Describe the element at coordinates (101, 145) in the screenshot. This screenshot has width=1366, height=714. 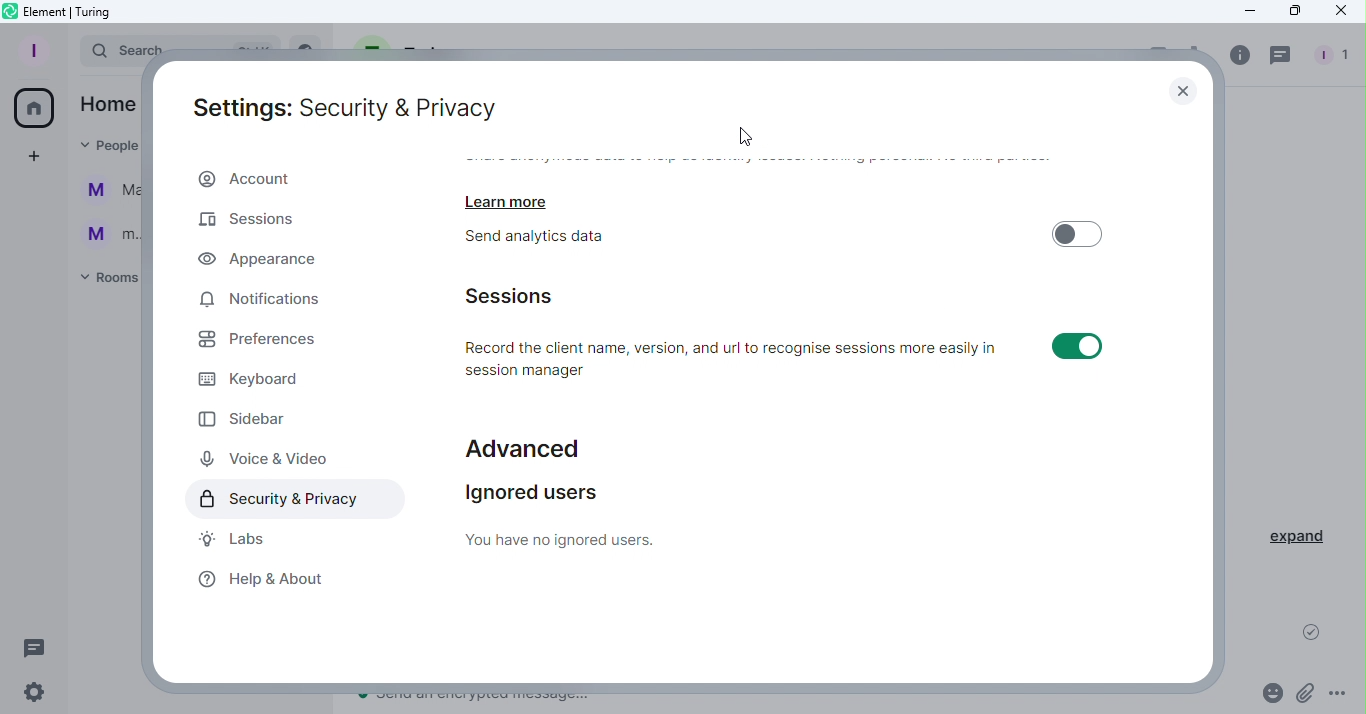
I see `People` at that location.